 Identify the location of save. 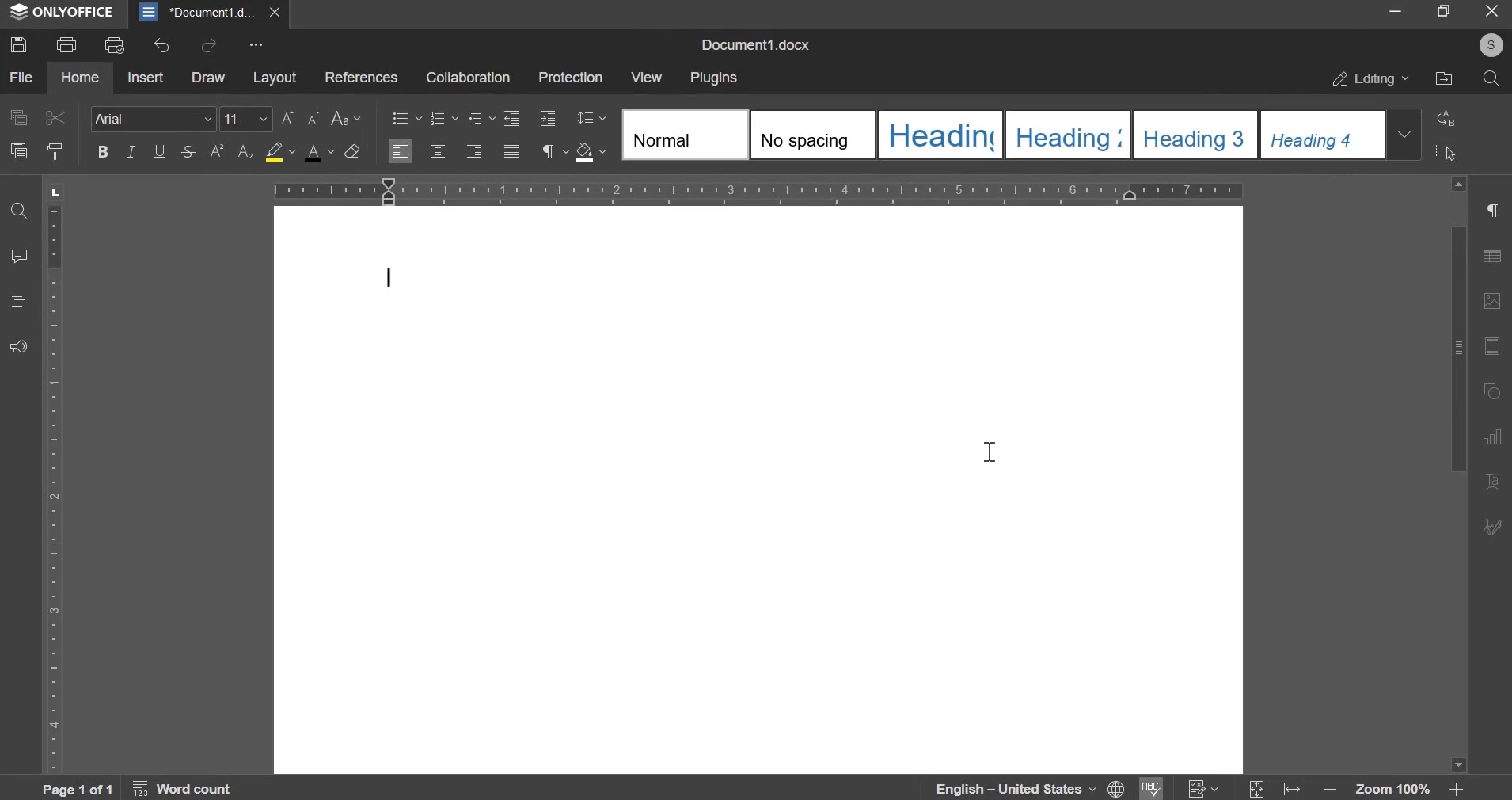
(22, 46).